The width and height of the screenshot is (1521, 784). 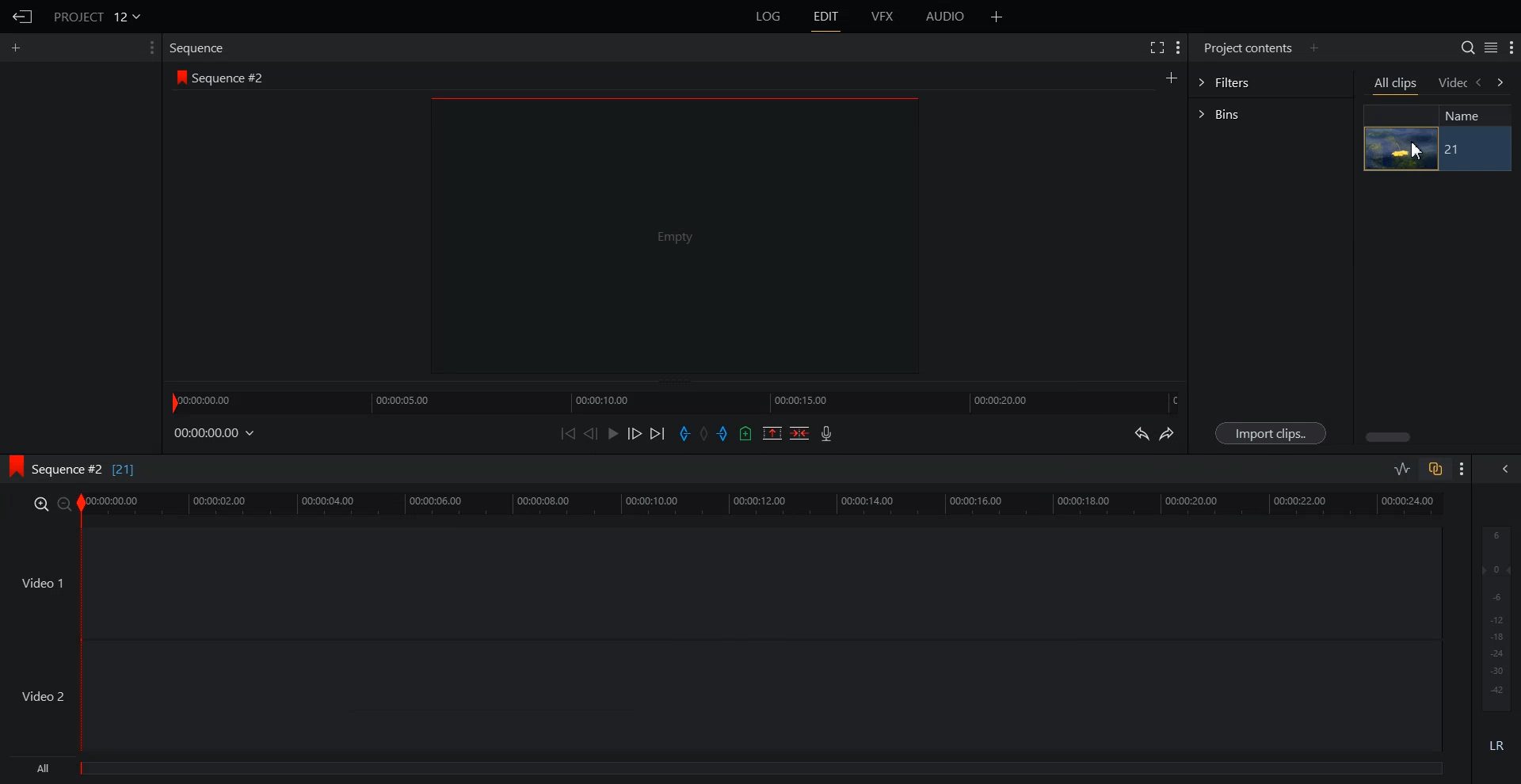 What do you see at coordinates (1271, 83) in the screenshot?
I see `Filters` at bounding box center [1271, 83].